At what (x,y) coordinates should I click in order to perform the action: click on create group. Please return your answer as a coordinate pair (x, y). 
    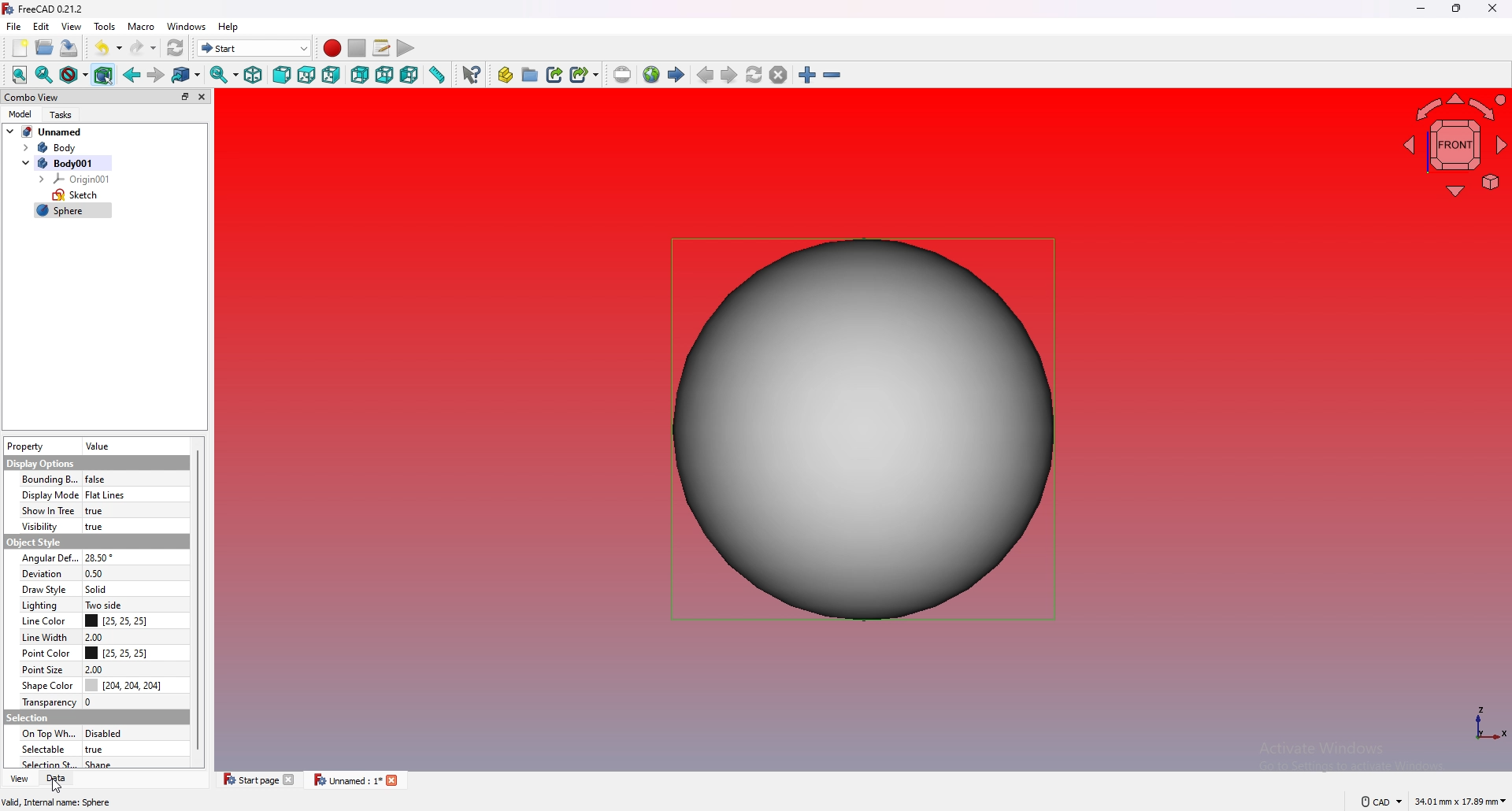
    Looking at the image, I should click on (530, 75).